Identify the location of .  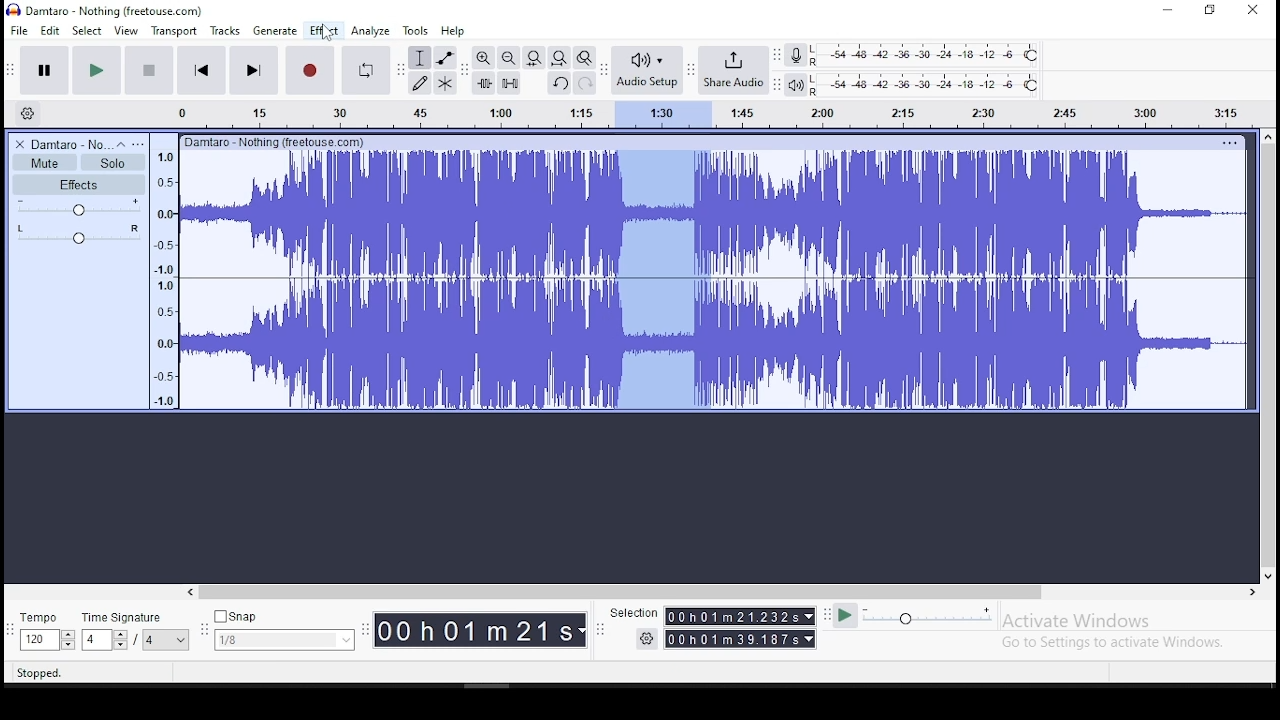
(825, 615).